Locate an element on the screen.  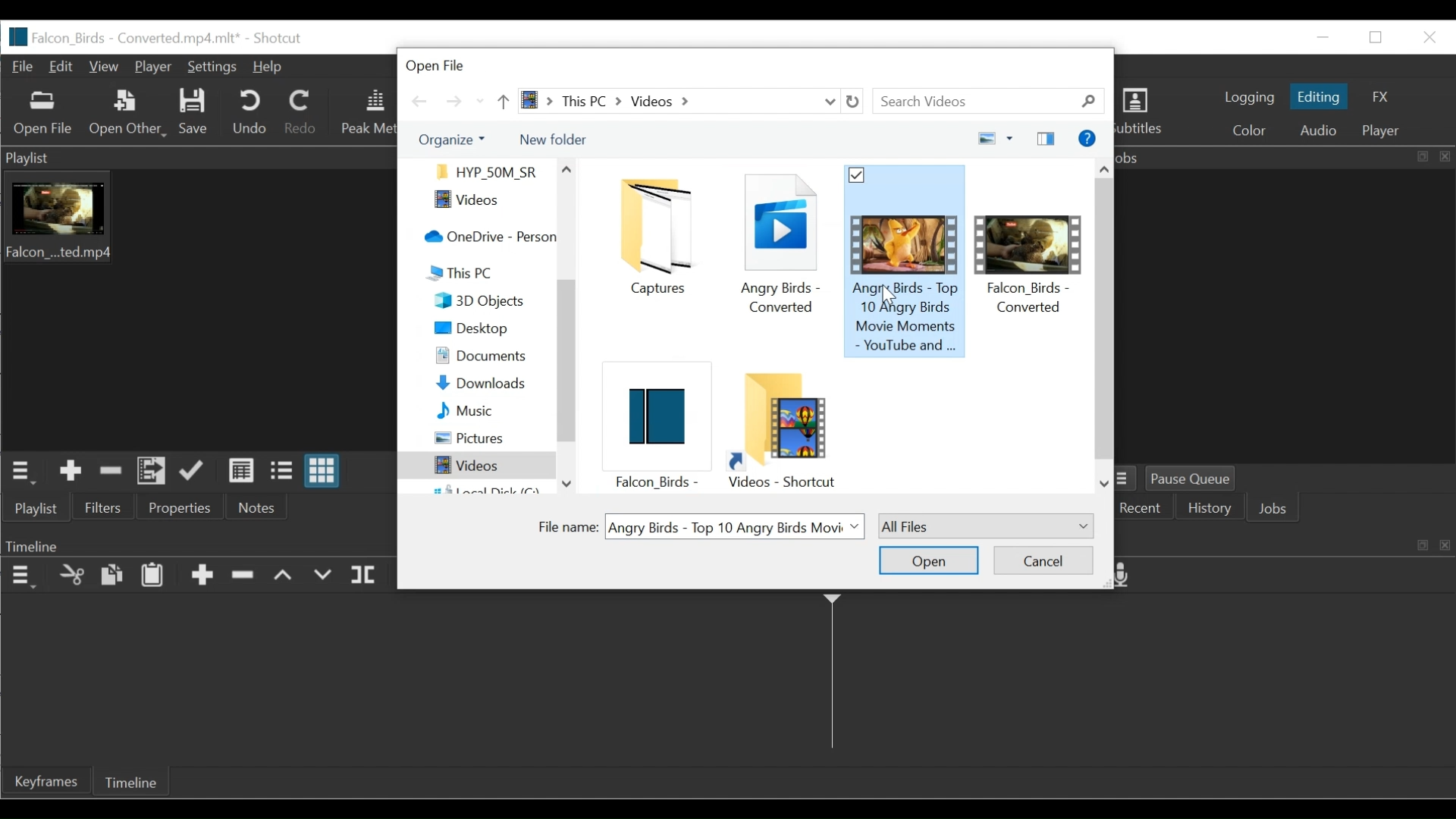
History is located at coordinates (1212, 510).